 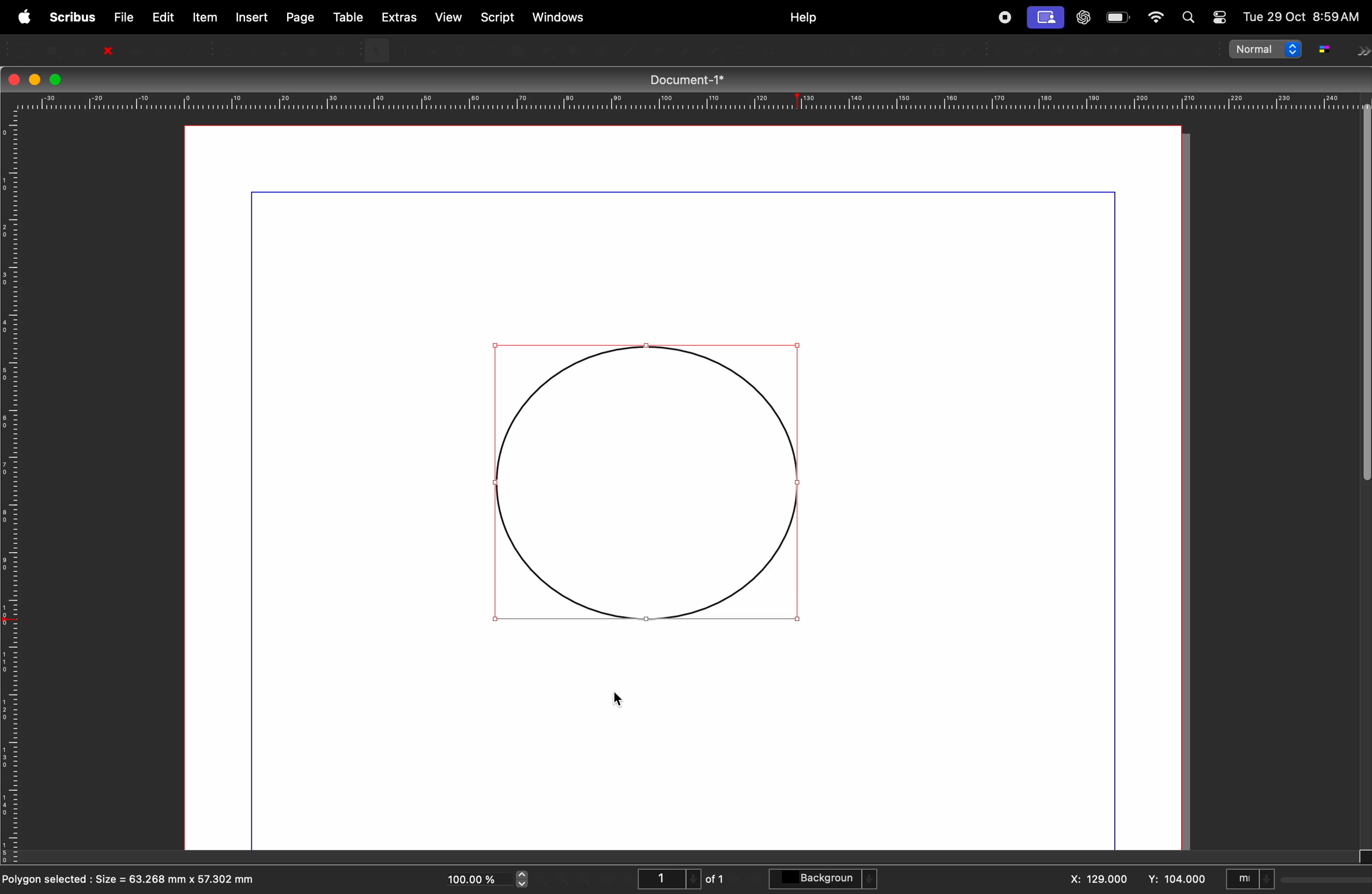 What do you see at coordinates (107, 49) in the screenshot?
I see `close` at bounding box center [107, 49].